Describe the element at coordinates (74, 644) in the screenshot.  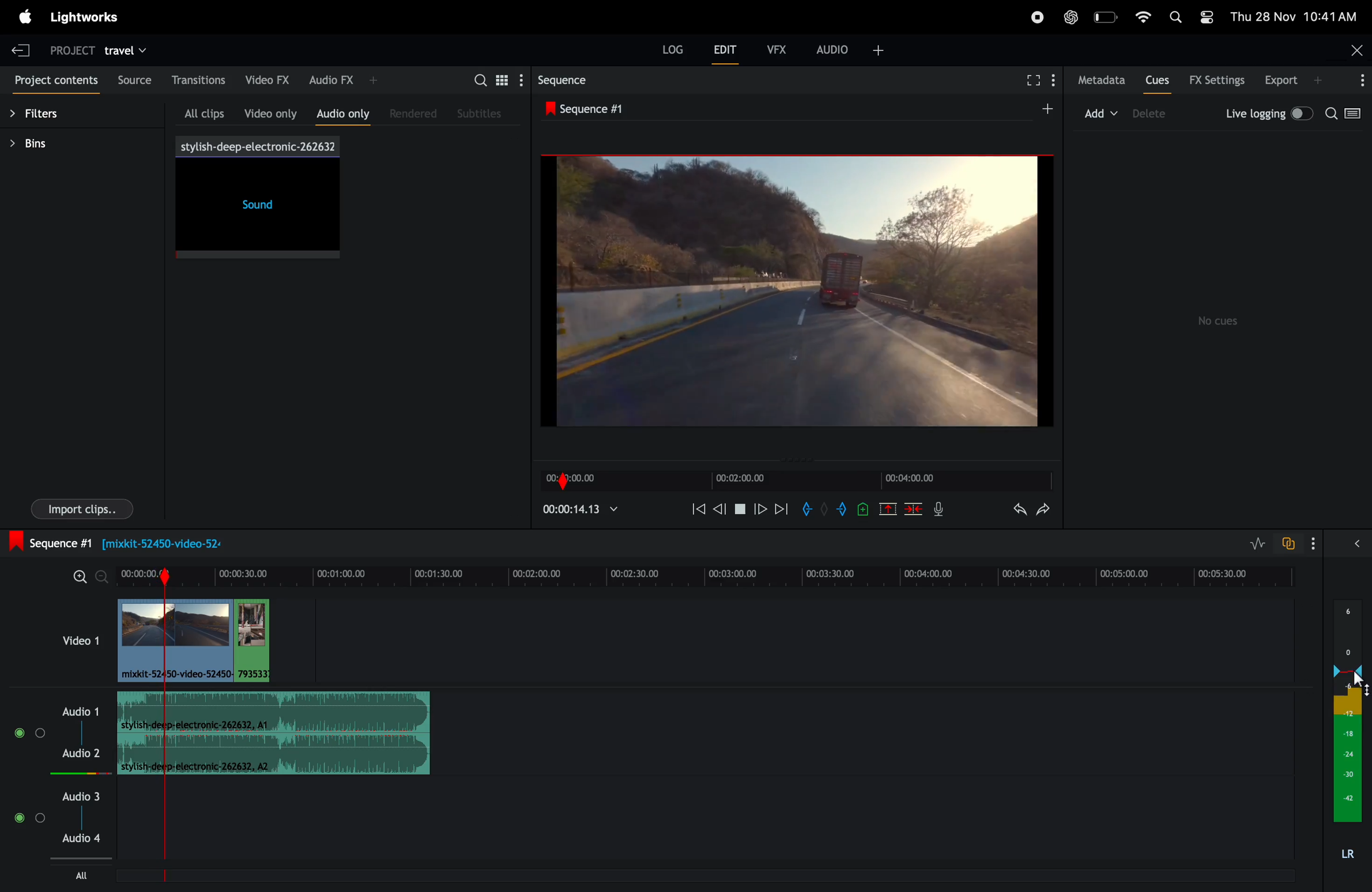
I see `video 1` at that location.